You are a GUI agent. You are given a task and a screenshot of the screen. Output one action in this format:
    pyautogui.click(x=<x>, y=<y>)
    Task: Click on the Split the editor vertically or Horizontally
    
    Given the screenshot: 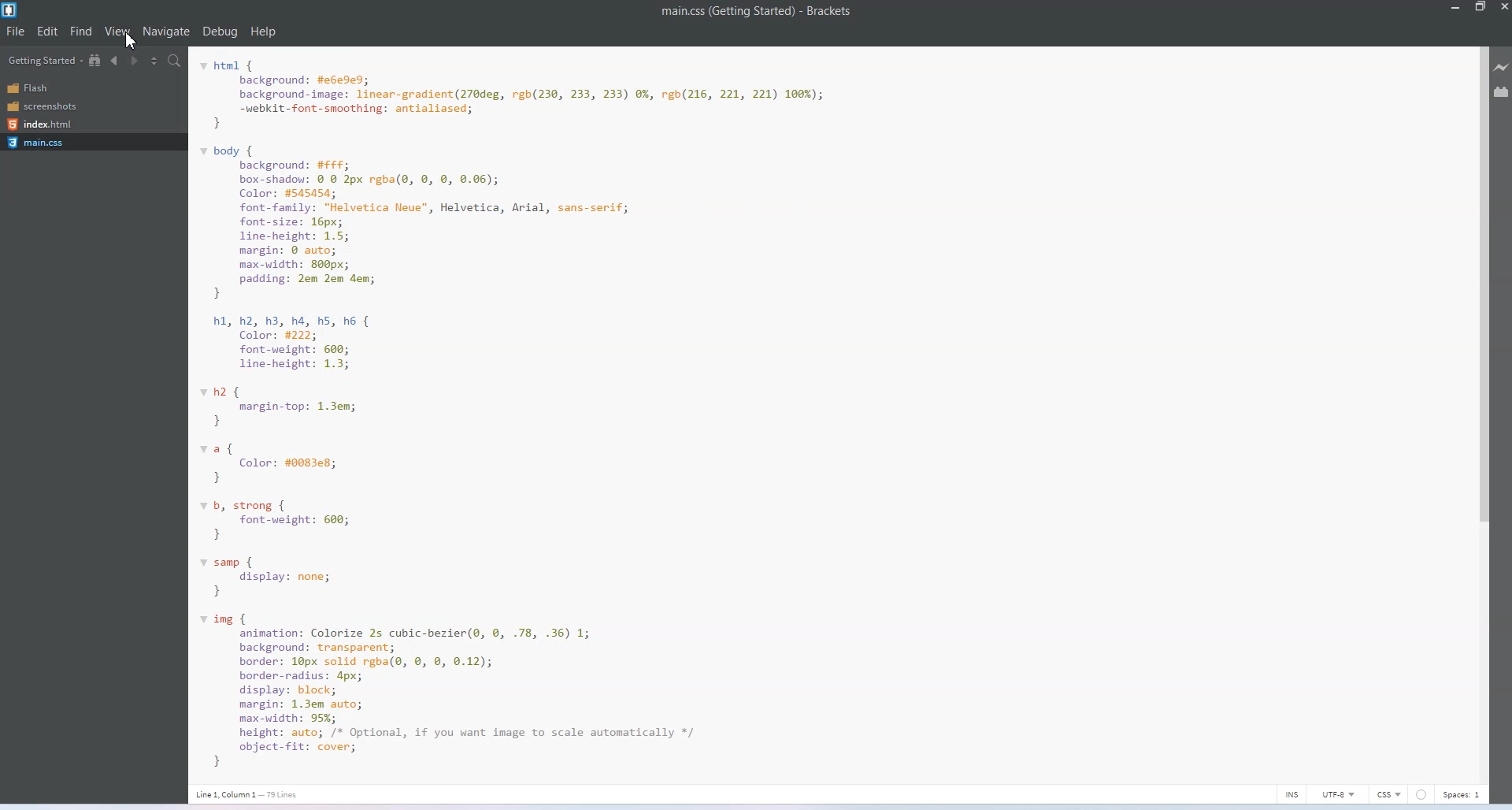 What is the action you would take?
    pyautogui.click(x=154, y=61)
    